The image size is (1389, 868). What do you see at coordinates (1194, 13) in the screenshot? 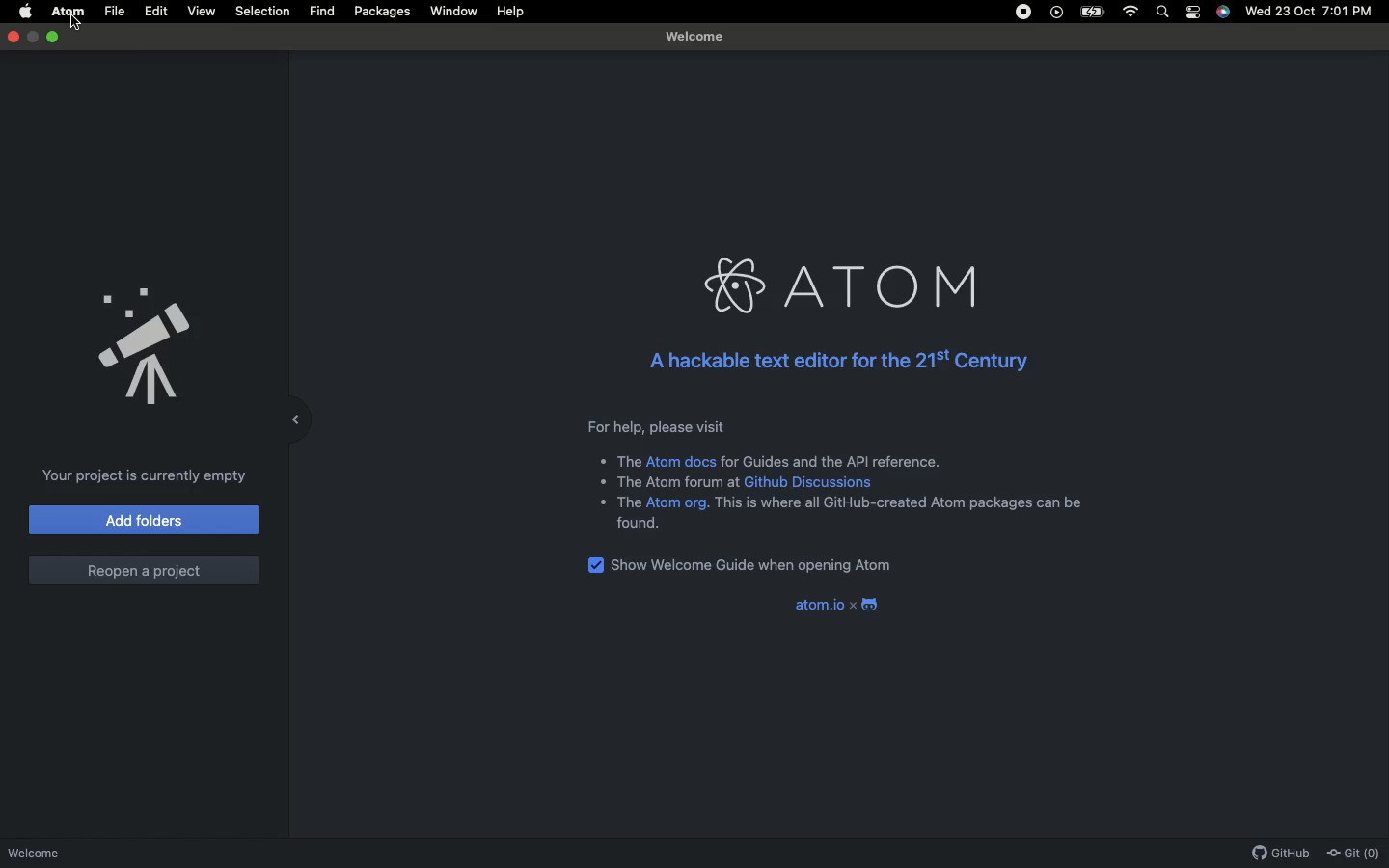
I see `Notification bar` at bounding box center [1194, 13].